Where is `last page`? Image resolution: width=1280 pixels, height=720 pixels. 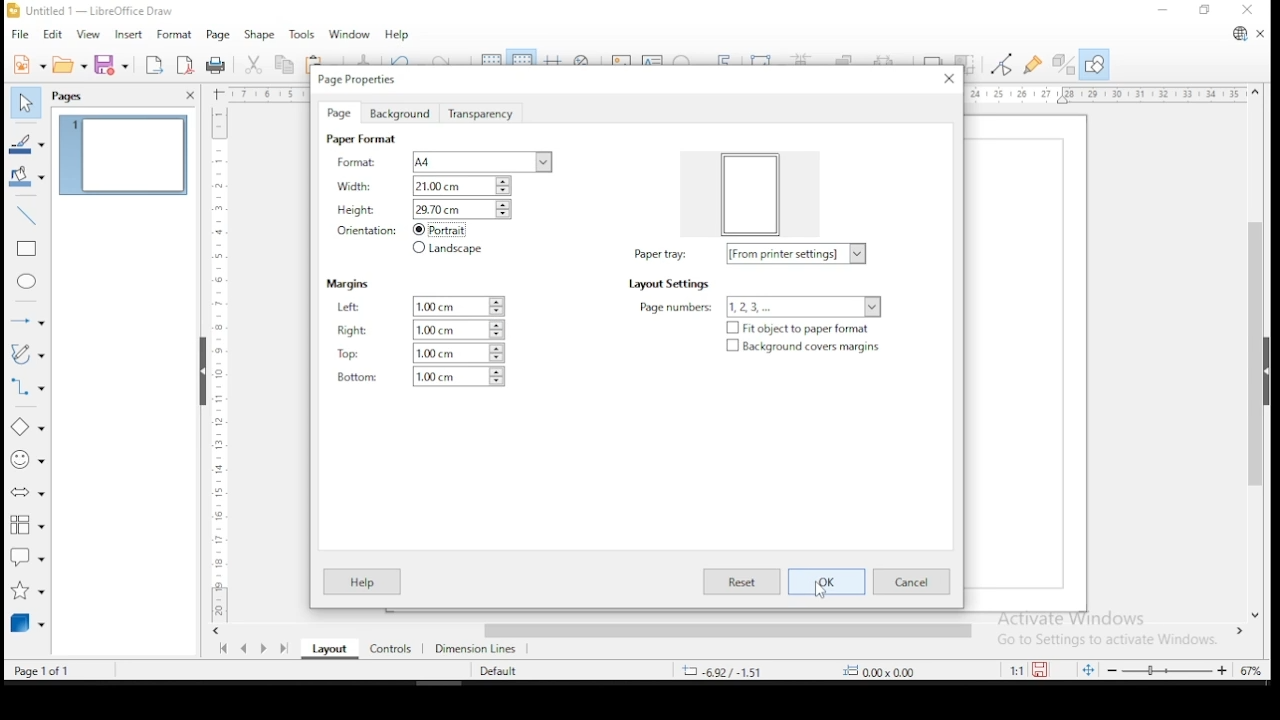 last page is located at coordinates (282, 650).